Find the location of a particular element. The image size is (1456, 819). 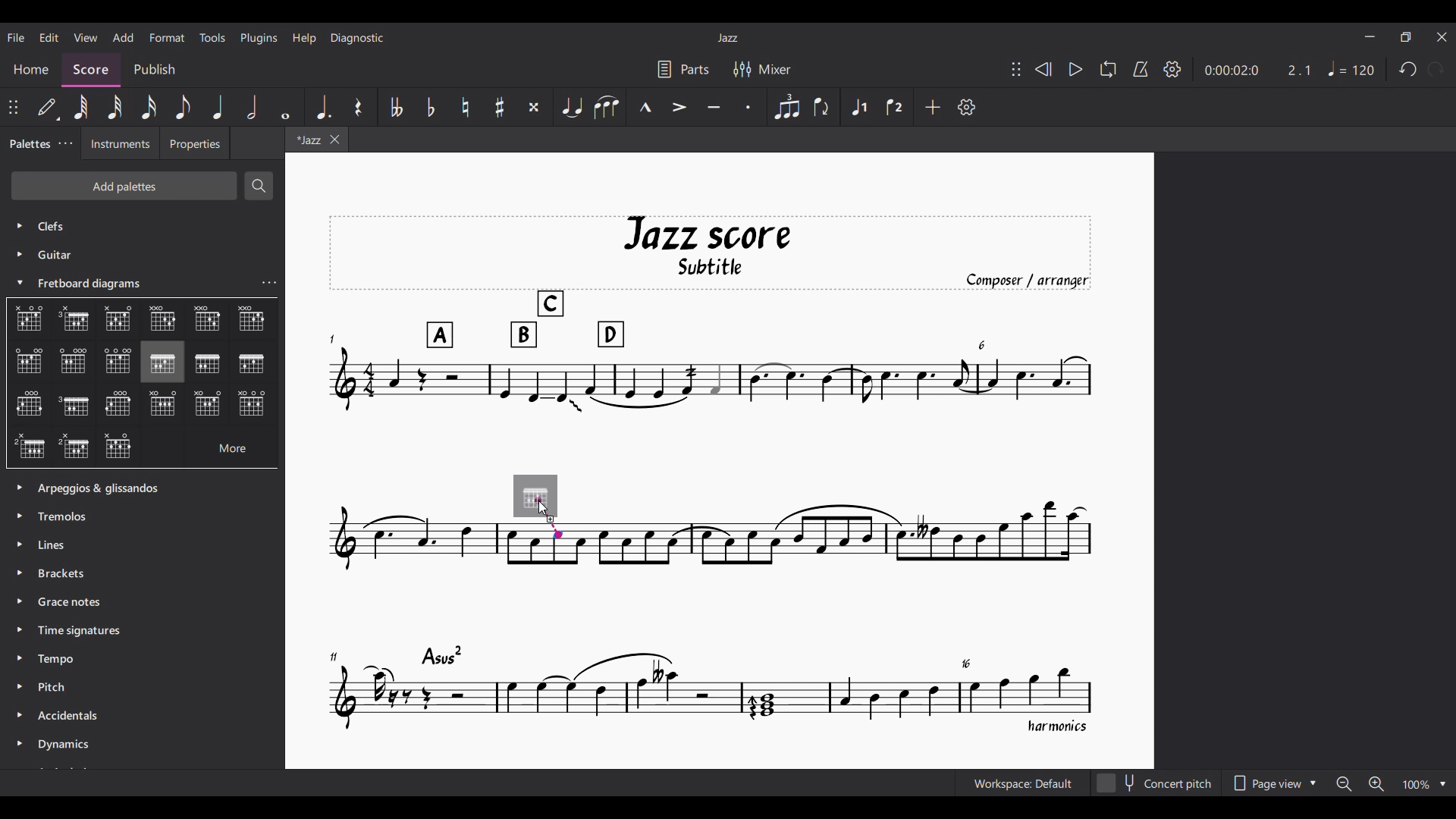

Mixer settings is located at coordinates (762, 69).